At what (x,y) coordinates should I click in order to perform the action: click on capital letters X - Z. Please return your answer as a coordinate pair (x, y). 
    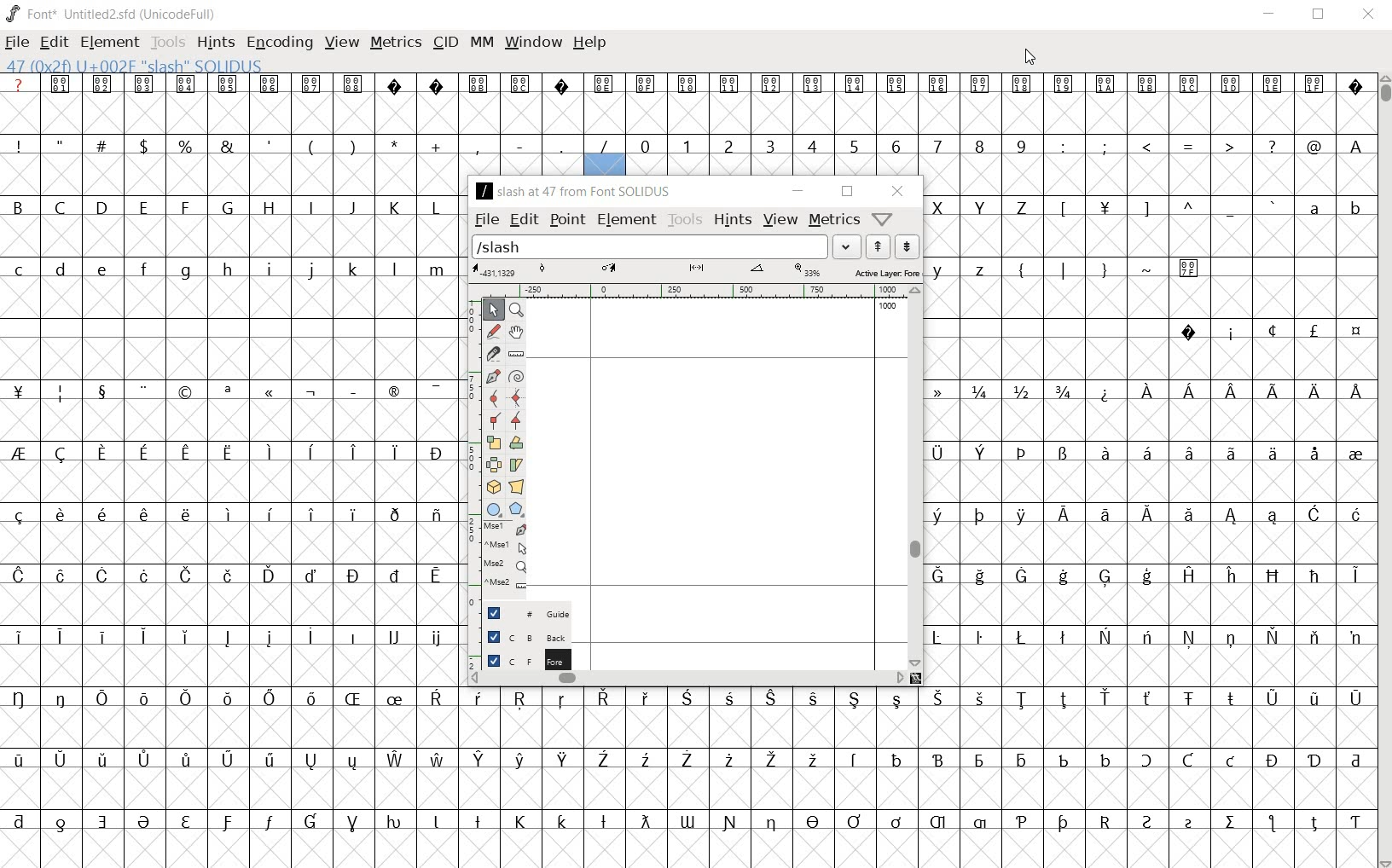
    Looking at the image, I should click on (988, 208).